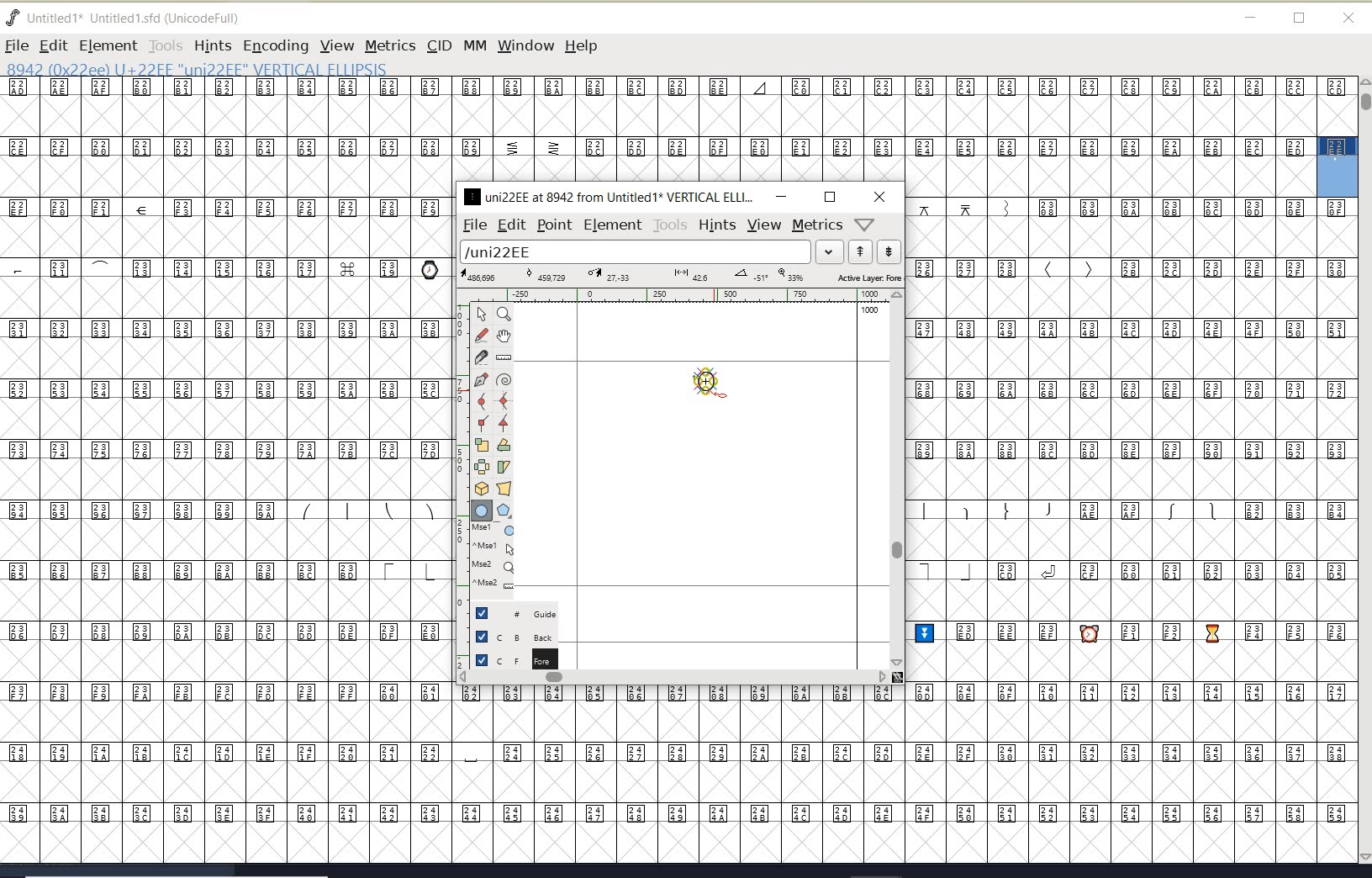 The image size is (1372, 878). Describe the element at coordinates (141, 16) in the screenshot. I see `untitled1* Untitled 1.sfd (UnicodeFull)` at that location.